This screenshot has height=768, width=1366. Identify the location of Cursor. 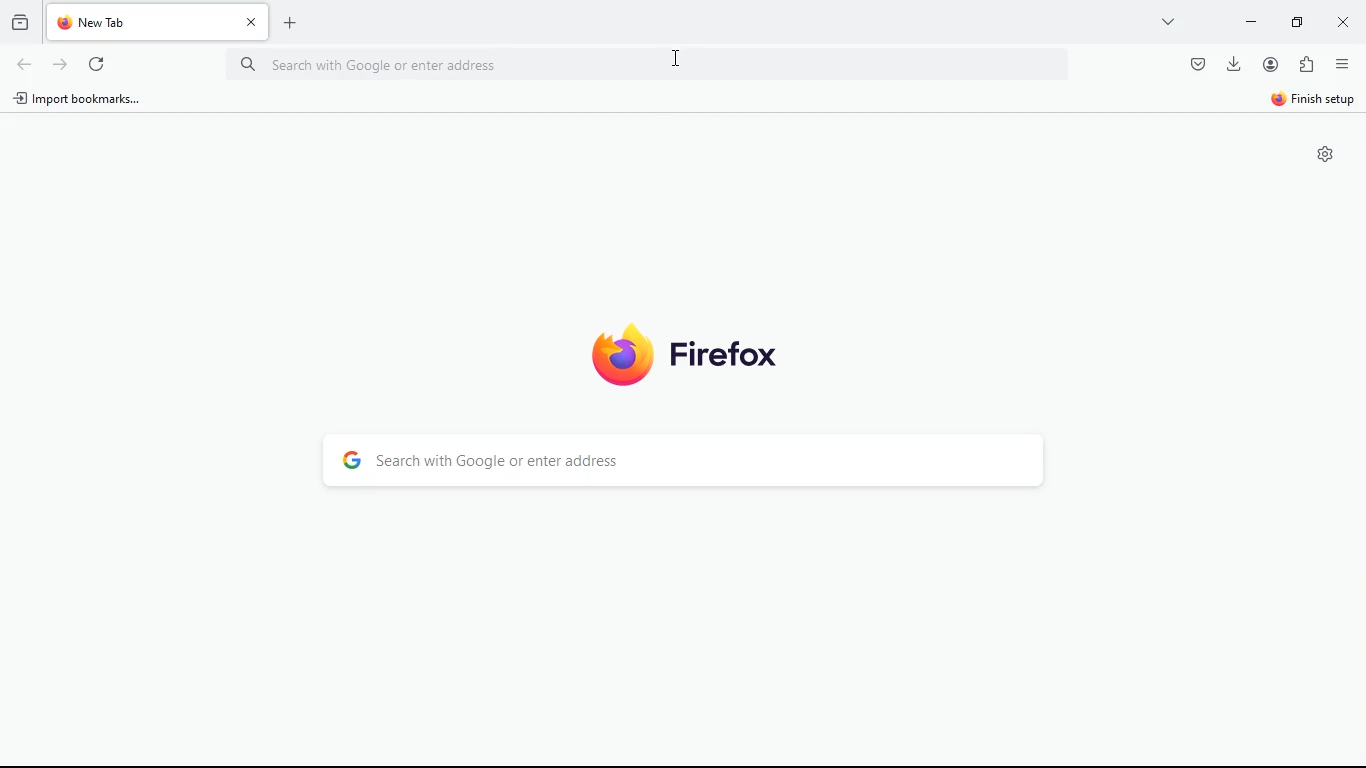
(680, 59).